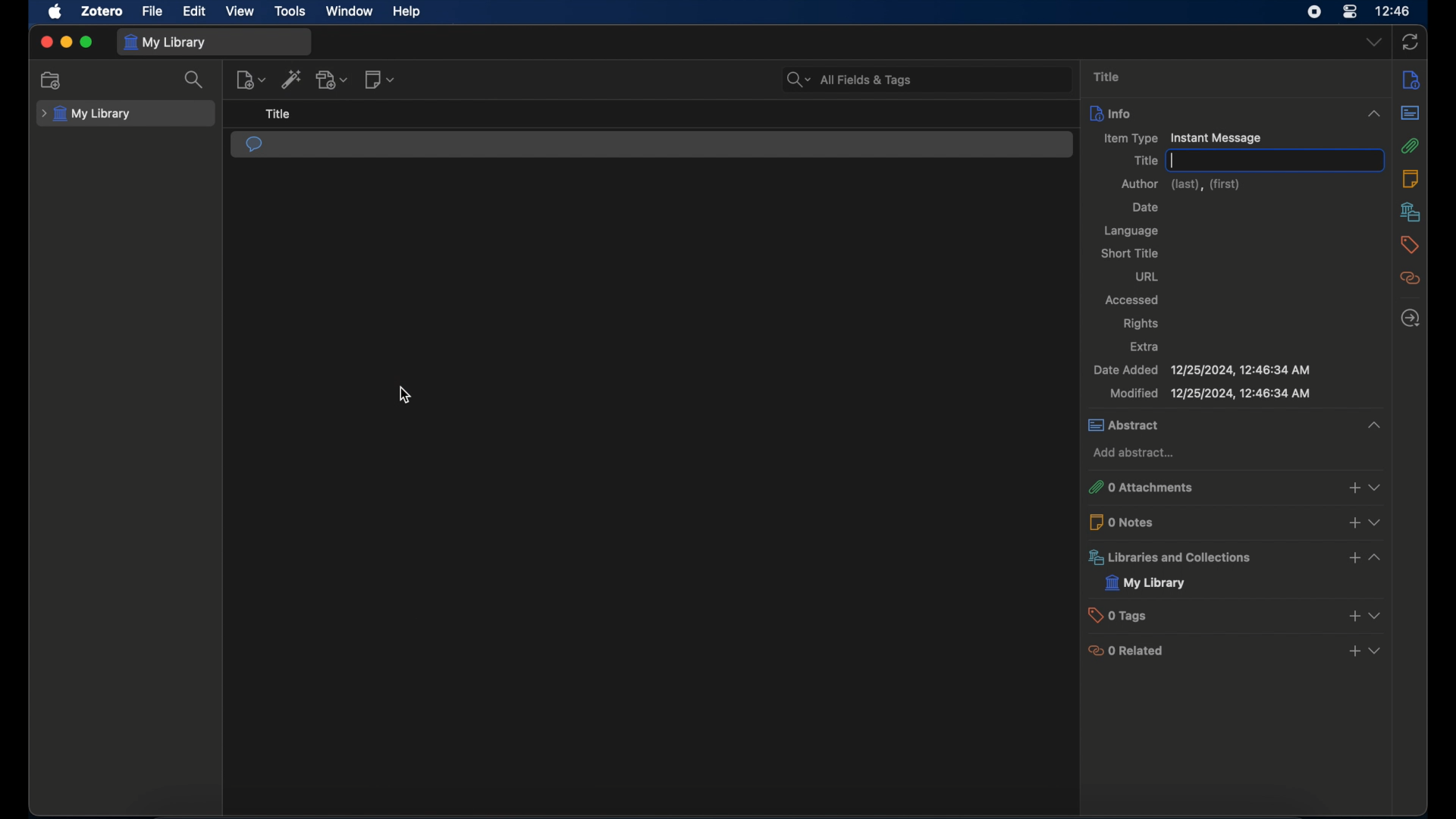  What do you see at coordinates (1411, 178) in the screenshot?
I see `notes` at bounding box center [1411, 178].